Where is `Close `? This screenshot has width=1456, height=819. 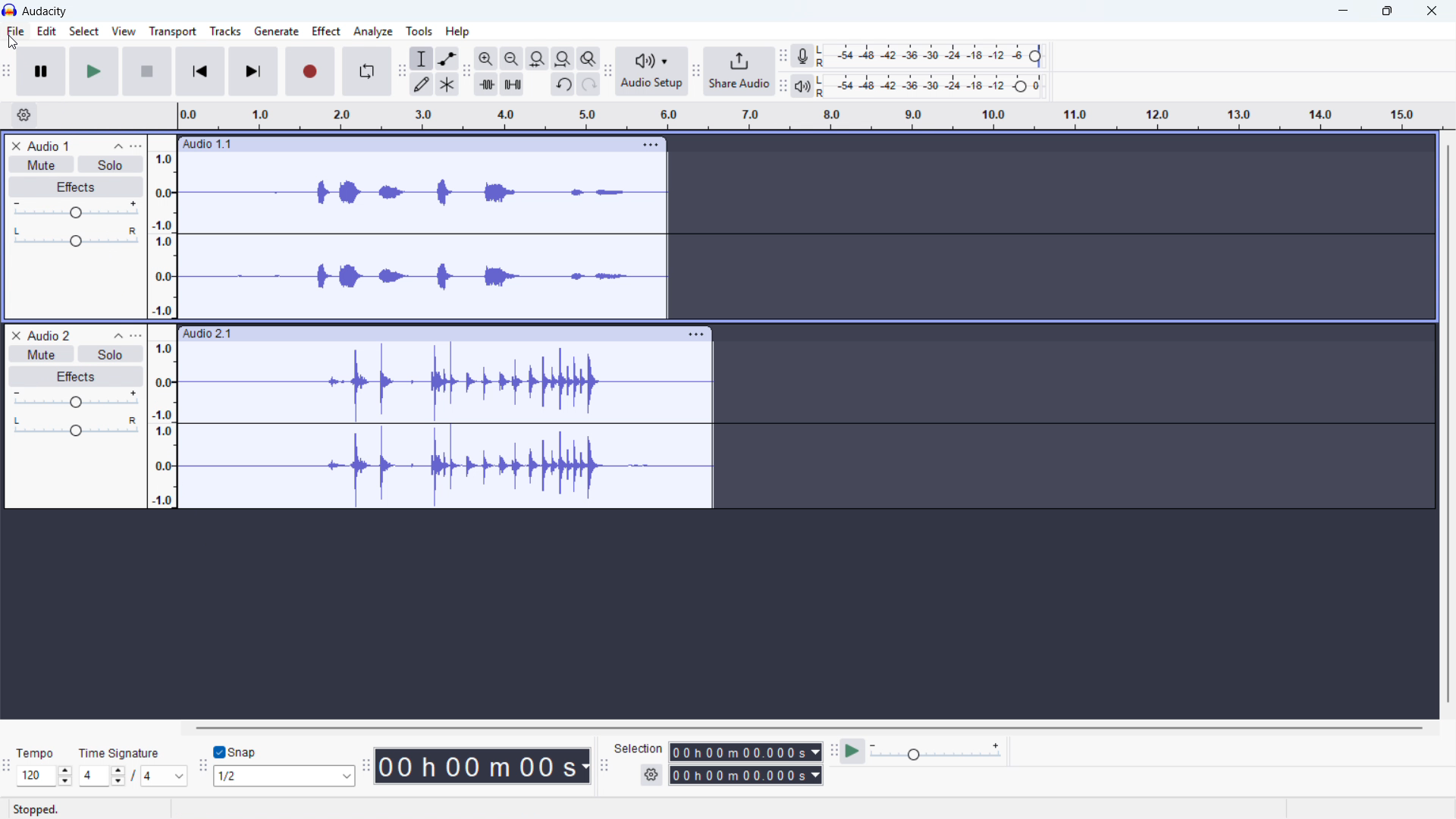
Close  is located at coordinates (1431, 11).